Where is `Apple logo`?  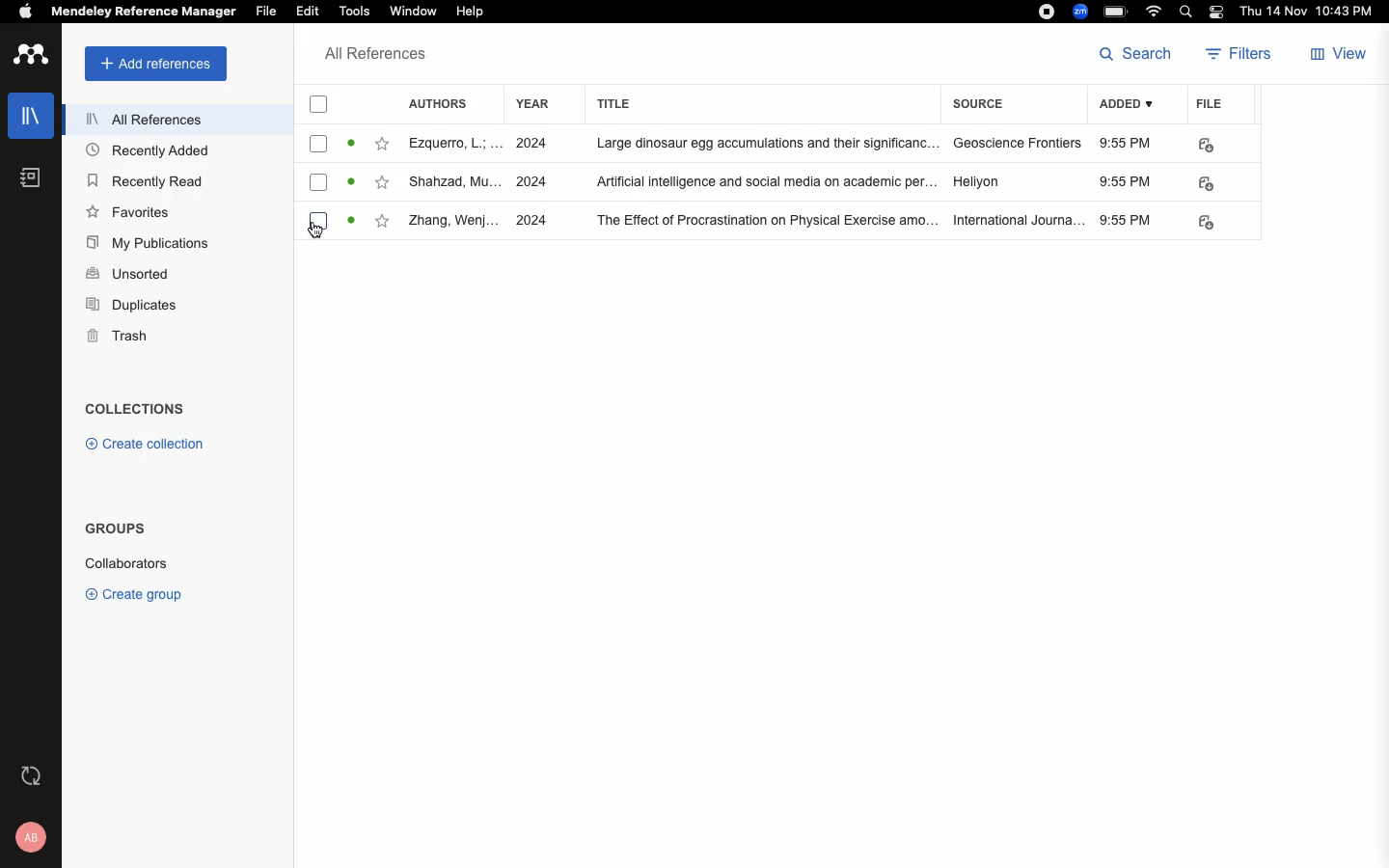 Apple logo is located at coordinates (25, 12).